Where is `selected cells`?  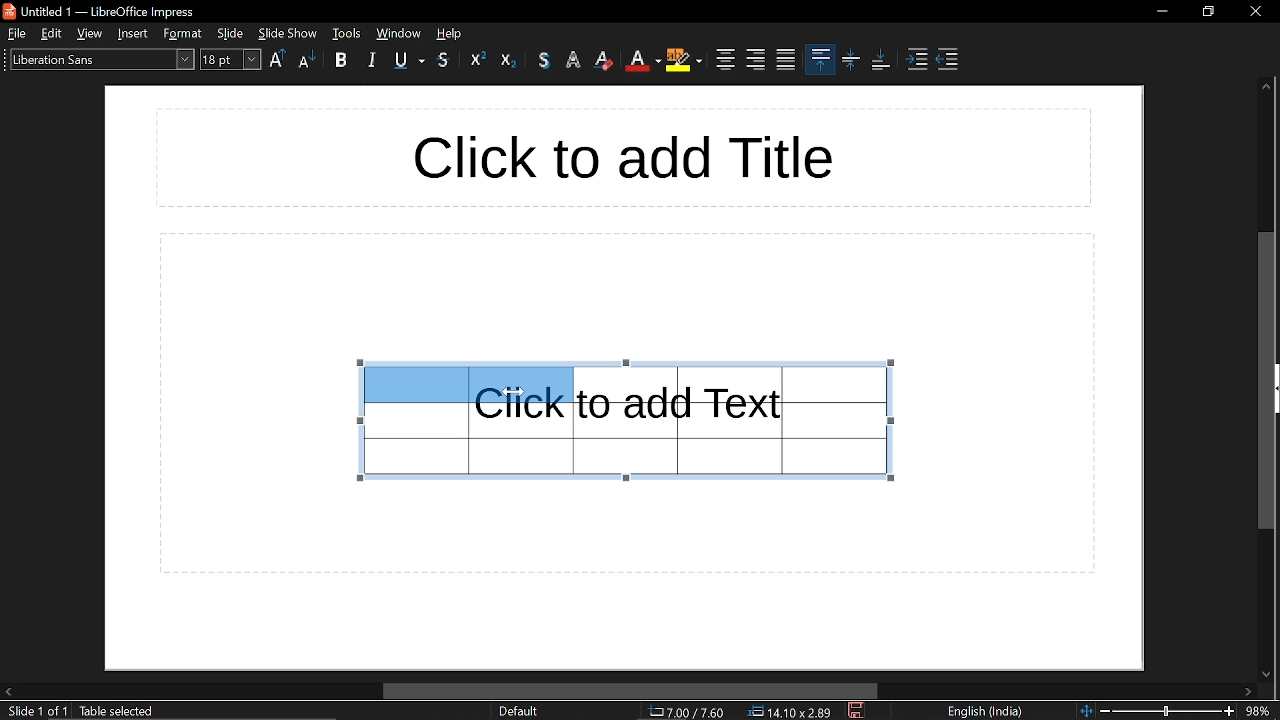
selected cells is located at coordinates (466, 383).